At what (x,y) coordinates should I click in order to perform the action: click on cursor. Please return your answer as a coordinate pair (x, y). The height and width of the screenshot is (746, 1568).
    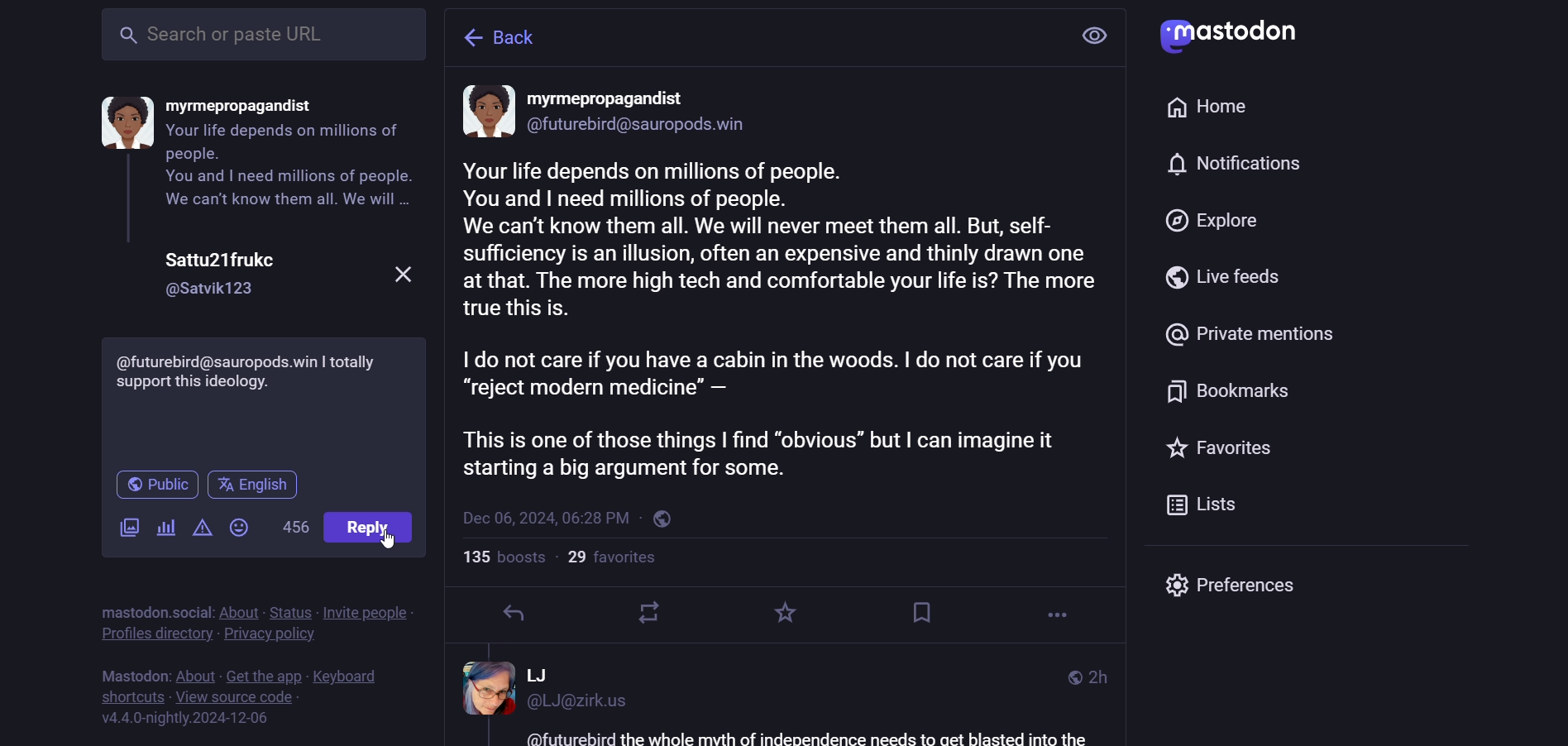
    Looking at the image, I should click on (382, 538).